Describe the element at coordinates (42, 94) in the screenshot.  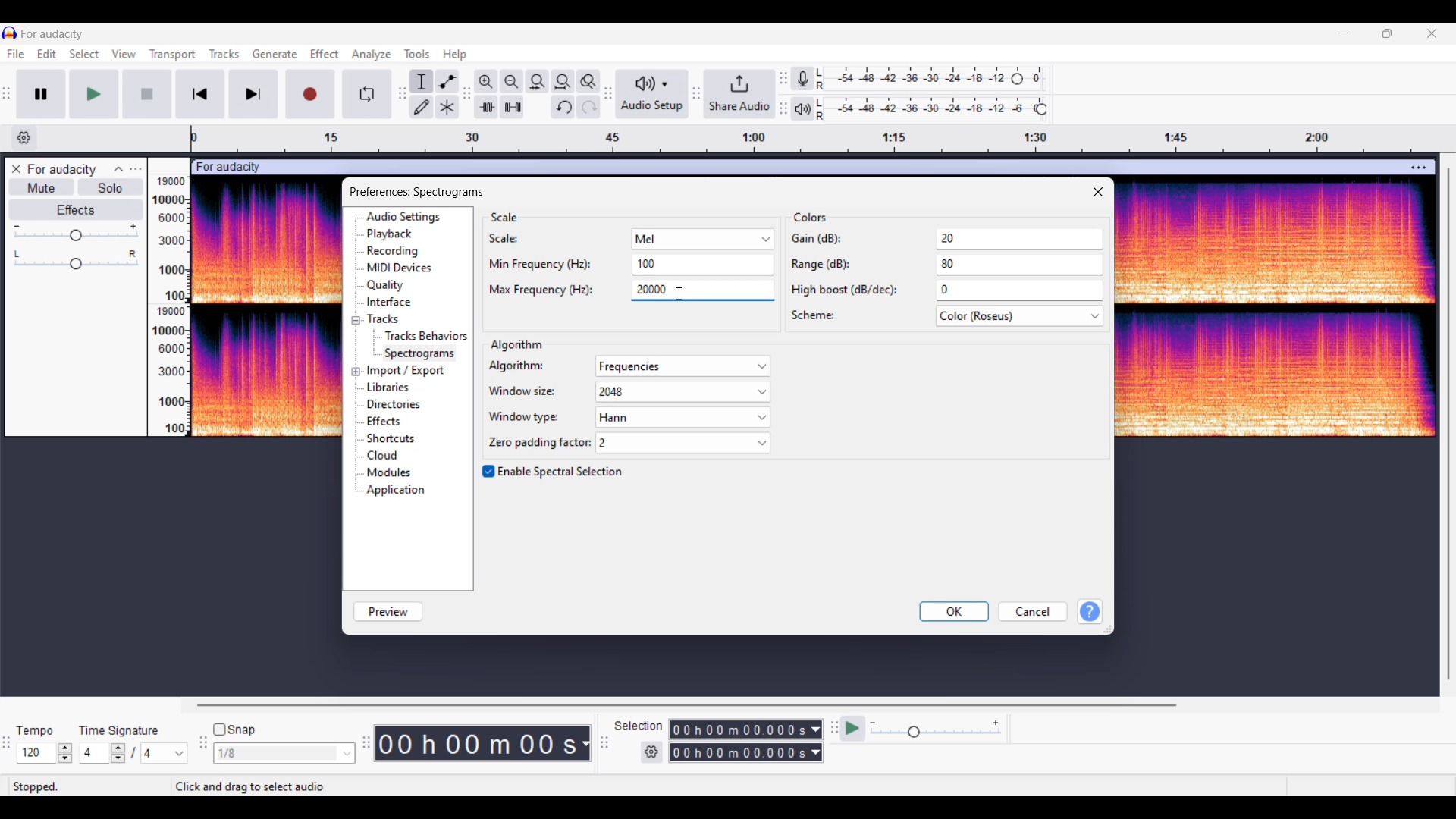
I see `Pause` at that location.